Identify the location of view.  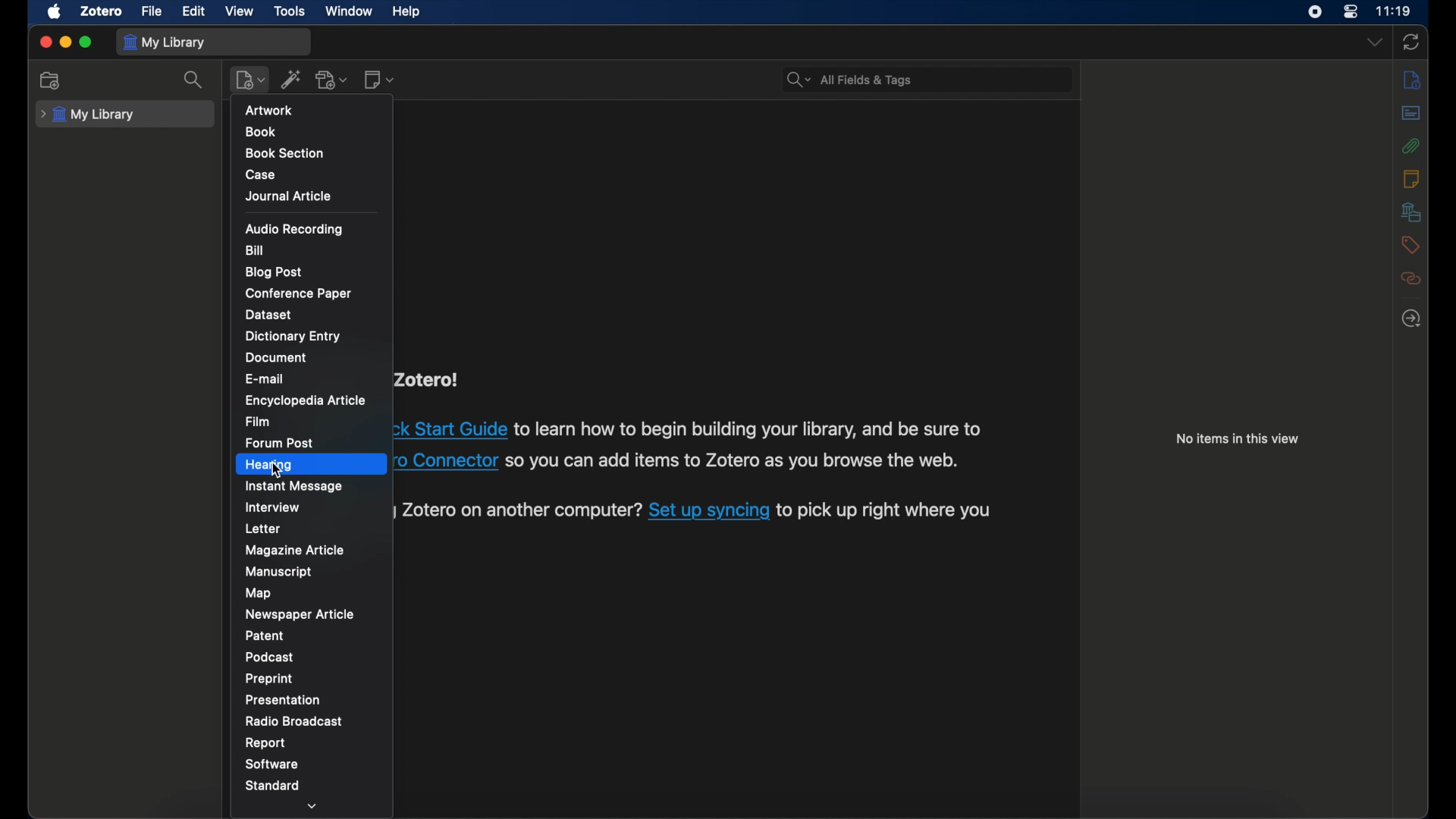
(238, 11).